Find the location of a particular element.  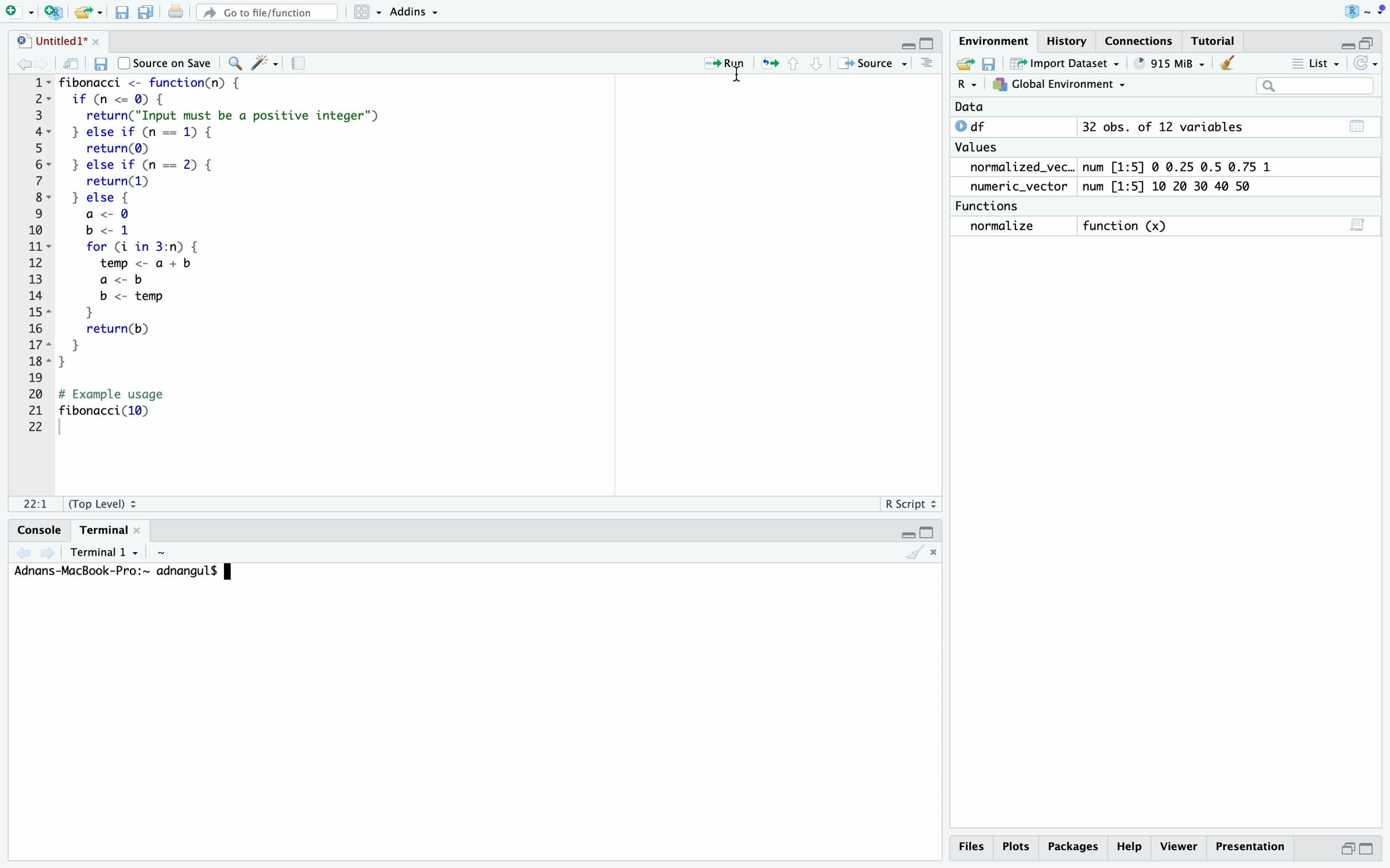

files is located at coordinates (971, 846).